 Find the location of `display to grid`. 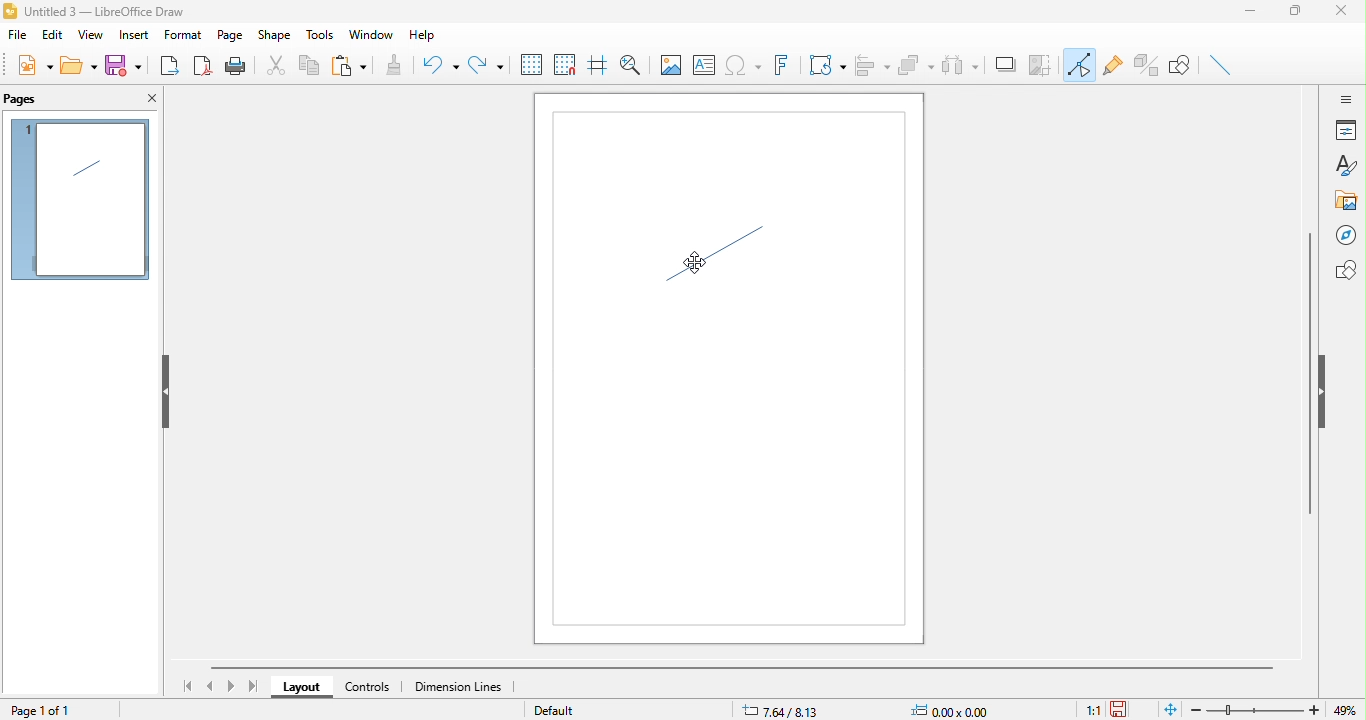

display to grid is located at coordinates (530, 65).